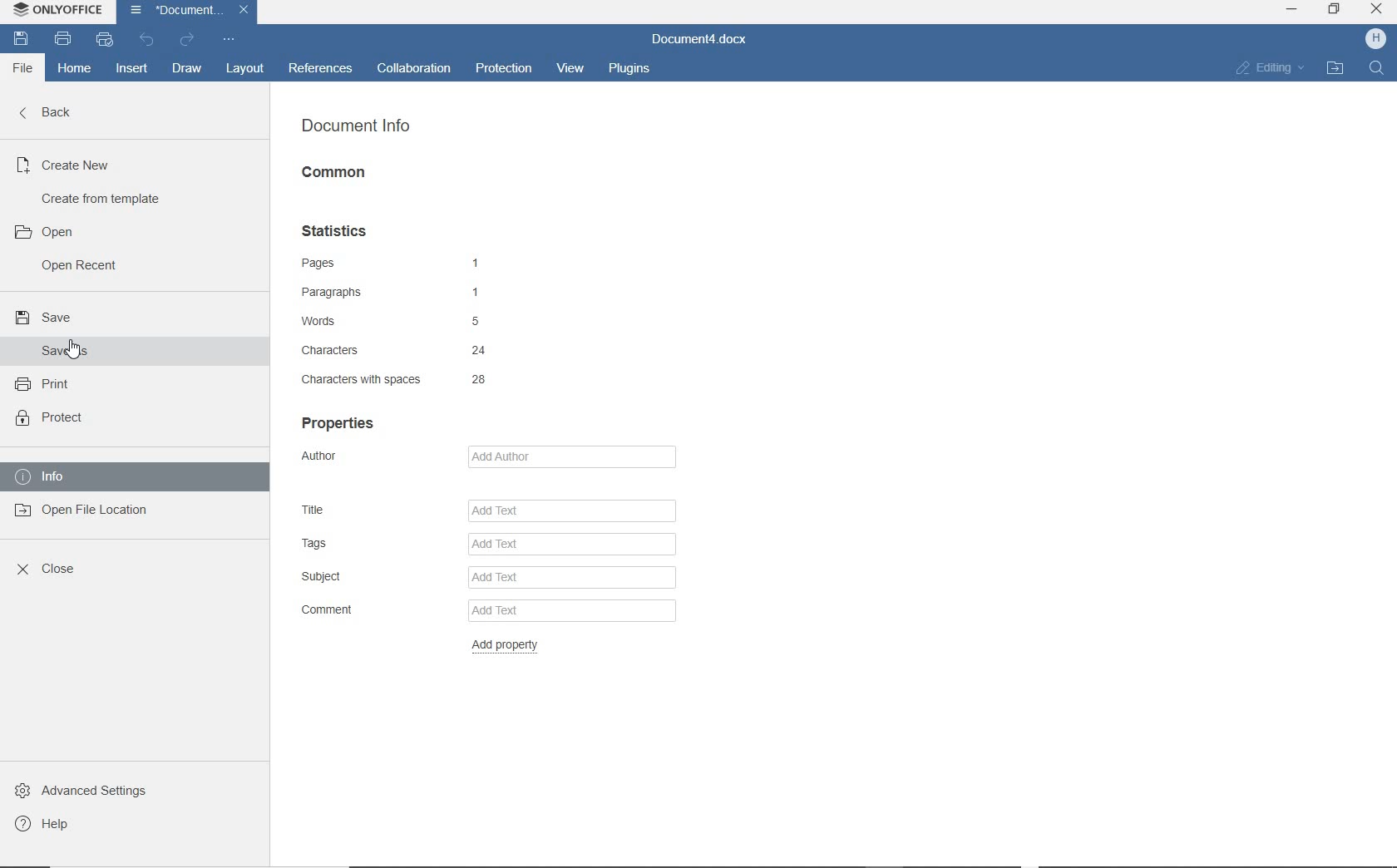 Image resolution: width=1397 pixels, height=868 pixels. I want to click on properties, so click(338, 421).